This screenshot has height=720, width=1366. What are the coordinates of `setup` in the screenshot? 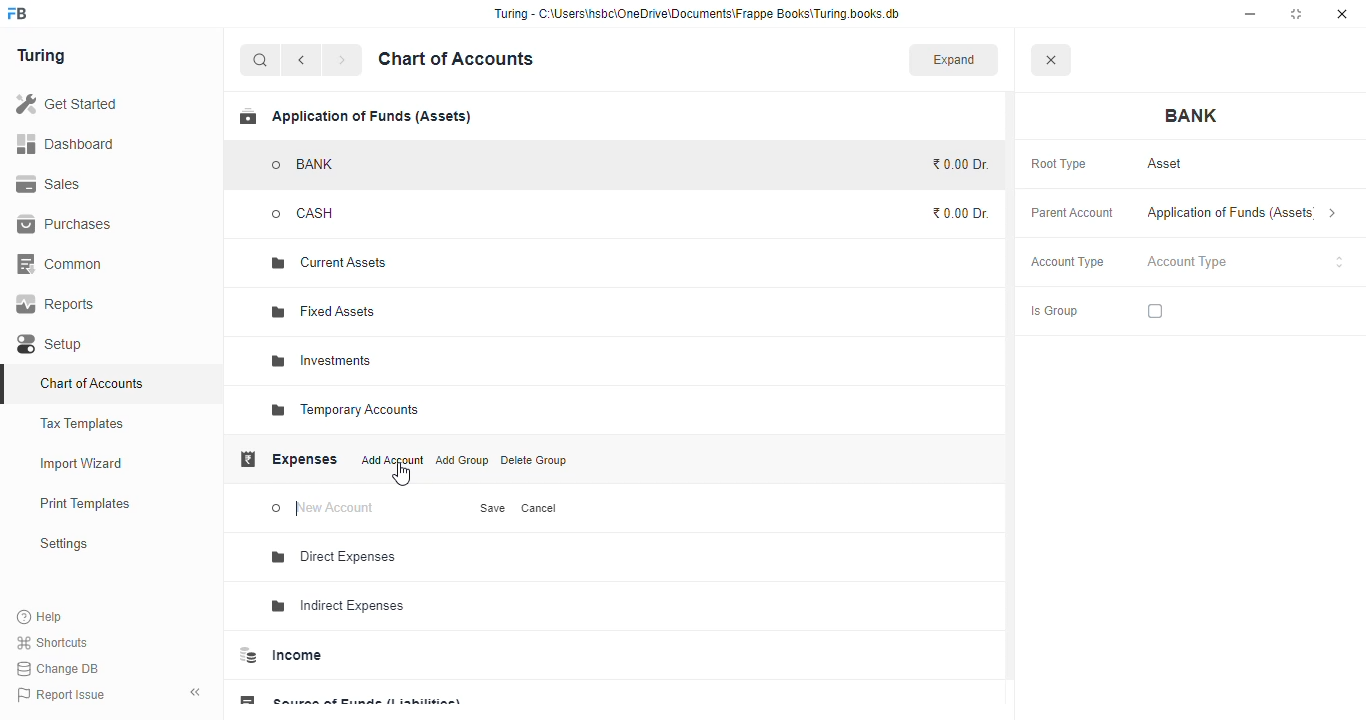 It's located at (52, 344).